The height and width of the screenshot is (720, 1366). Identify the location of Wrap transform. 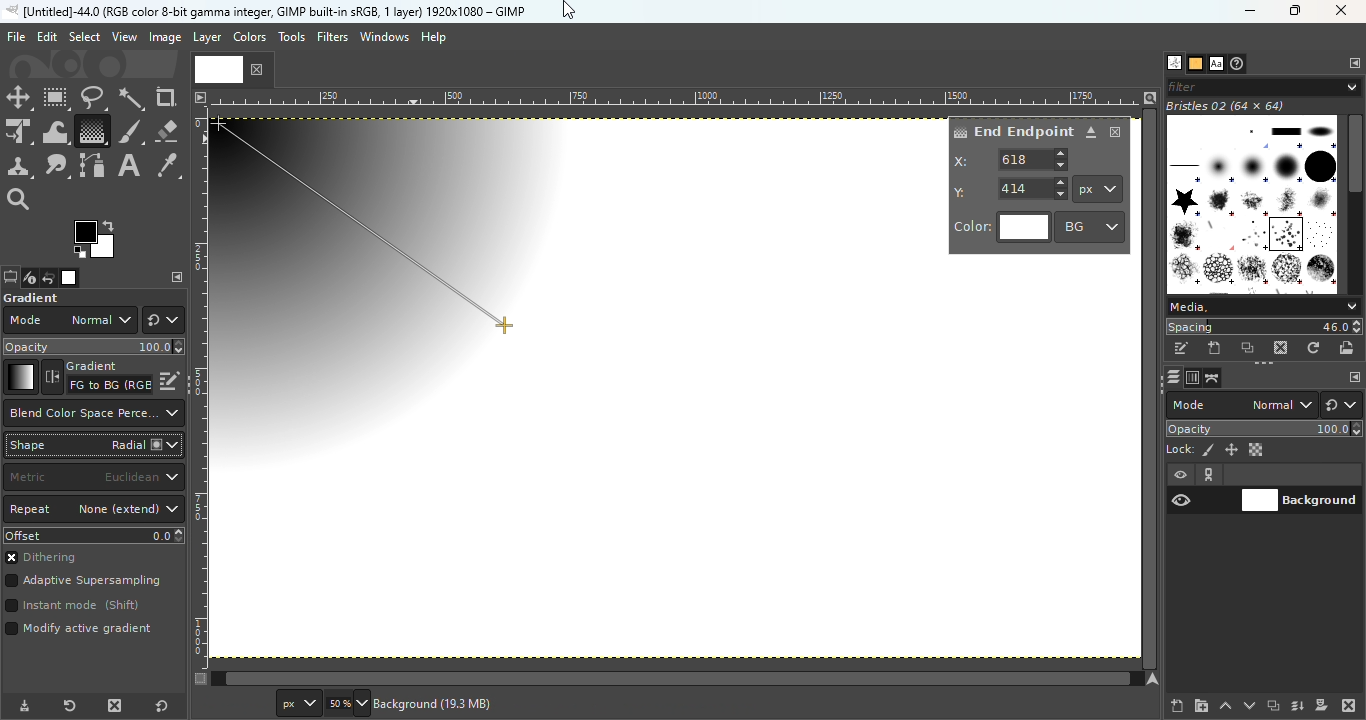
(53, 131).